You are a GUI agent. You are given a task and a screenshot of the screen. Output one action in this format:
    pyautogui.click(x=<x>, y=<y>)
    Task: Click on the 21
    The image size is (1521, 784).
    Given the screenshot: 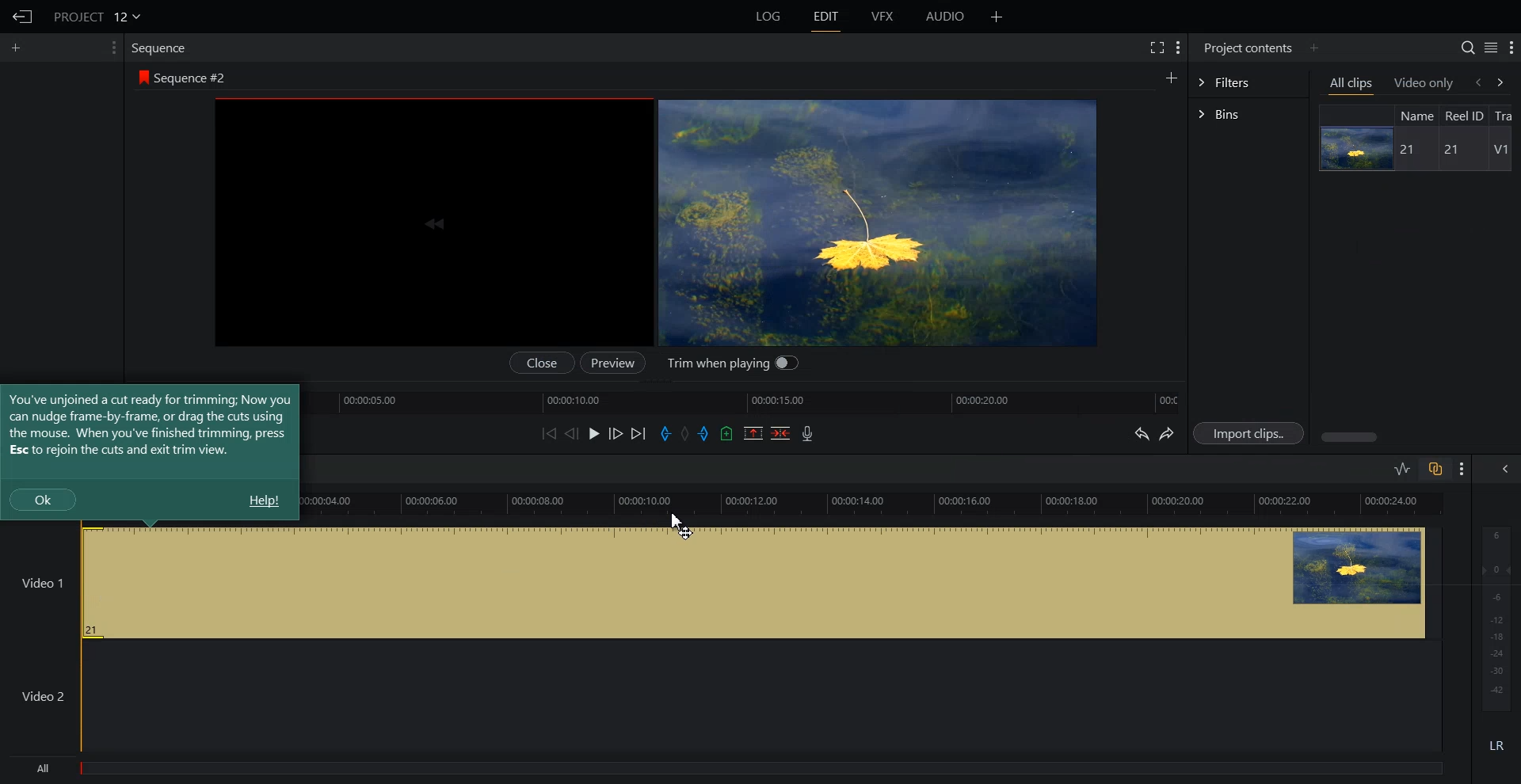 What is the action you would take?
    pyautogui.click(x=1448, y=150)
    